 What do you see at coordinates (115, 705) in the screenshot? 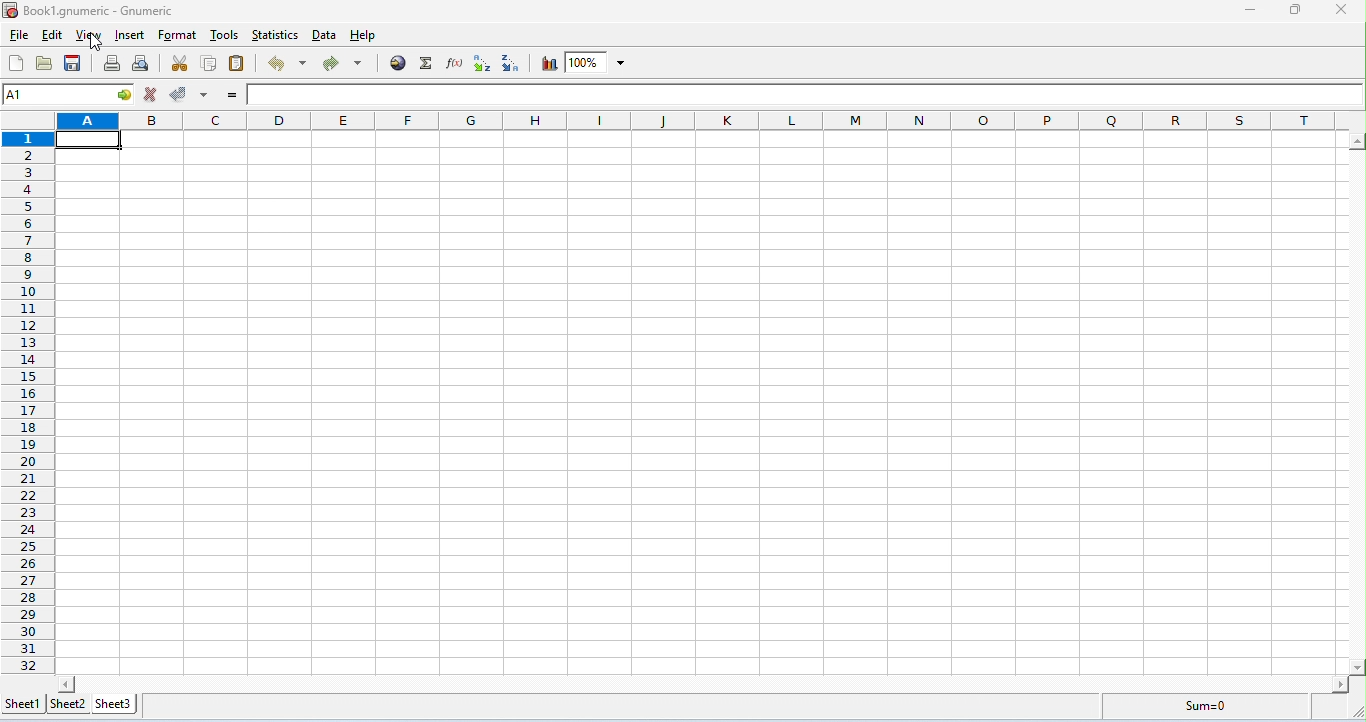
I see `sheet3` at bounding box center [115, 705].